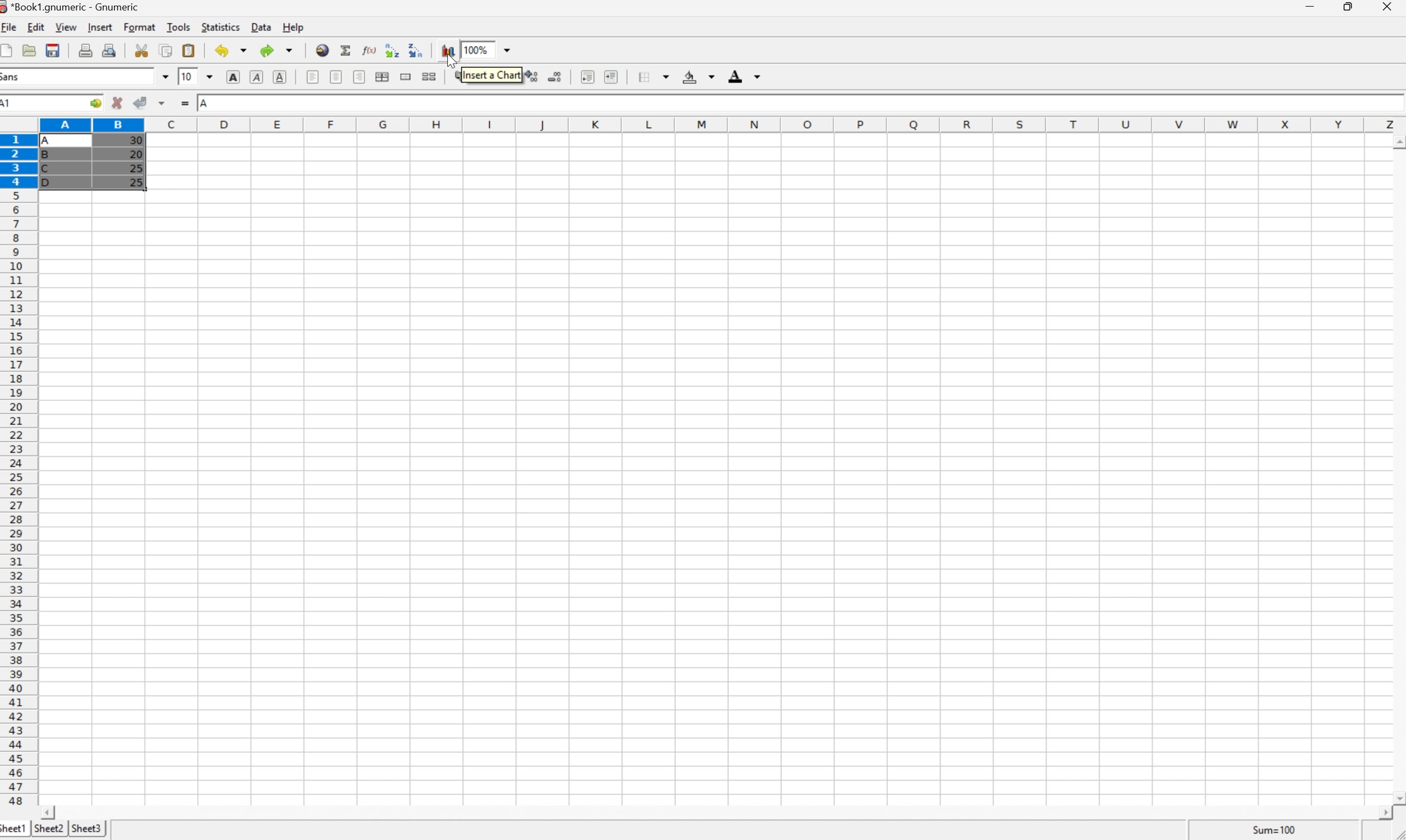  What do you see at coordinates (188, 50) in the screenshot?
I see `Paste the clipboard` at bounding box center [188, 50].